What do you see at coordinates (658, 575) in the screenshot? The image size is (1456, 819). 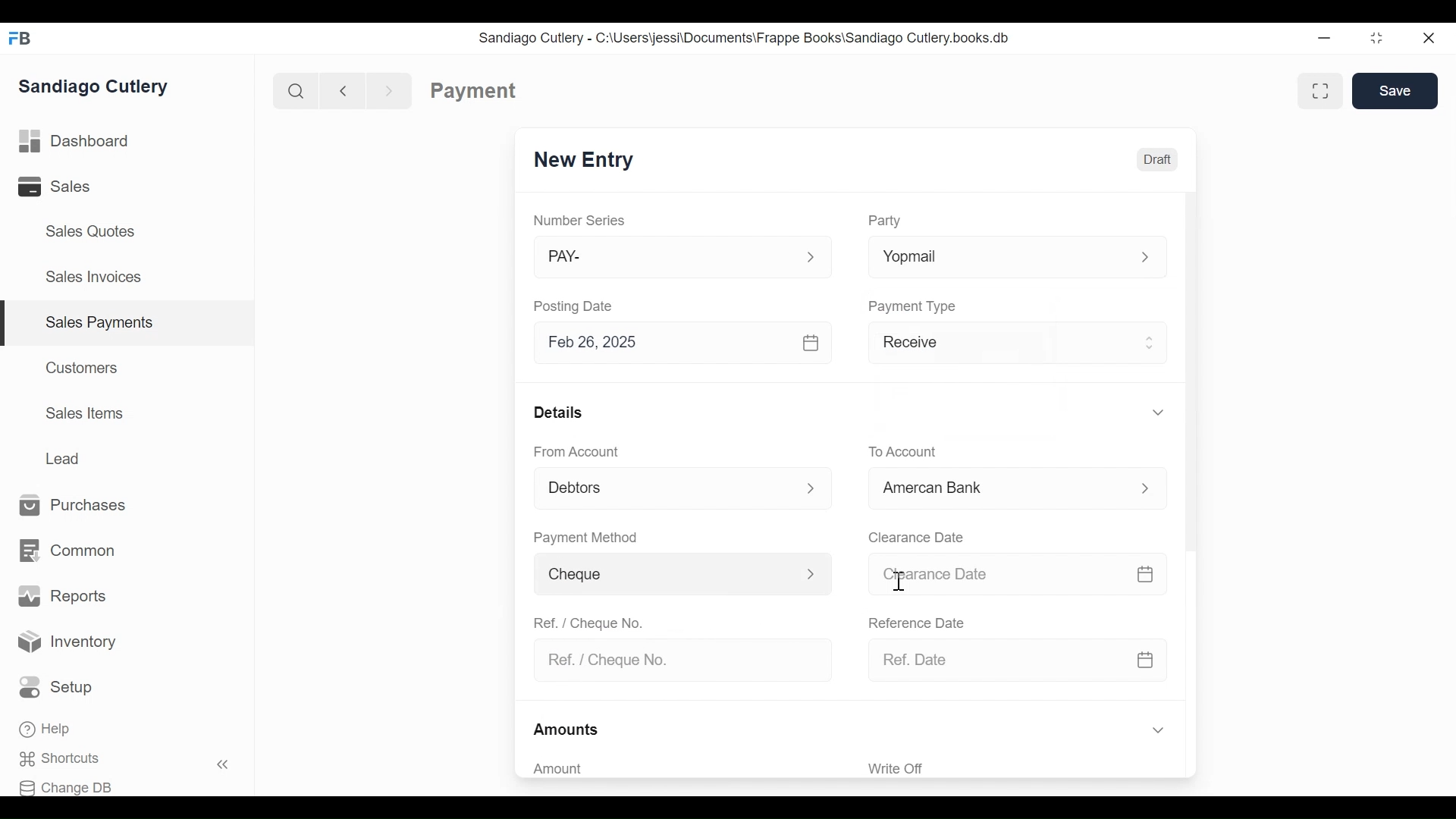 I see `Cheque` at bounding box center [658, 575].